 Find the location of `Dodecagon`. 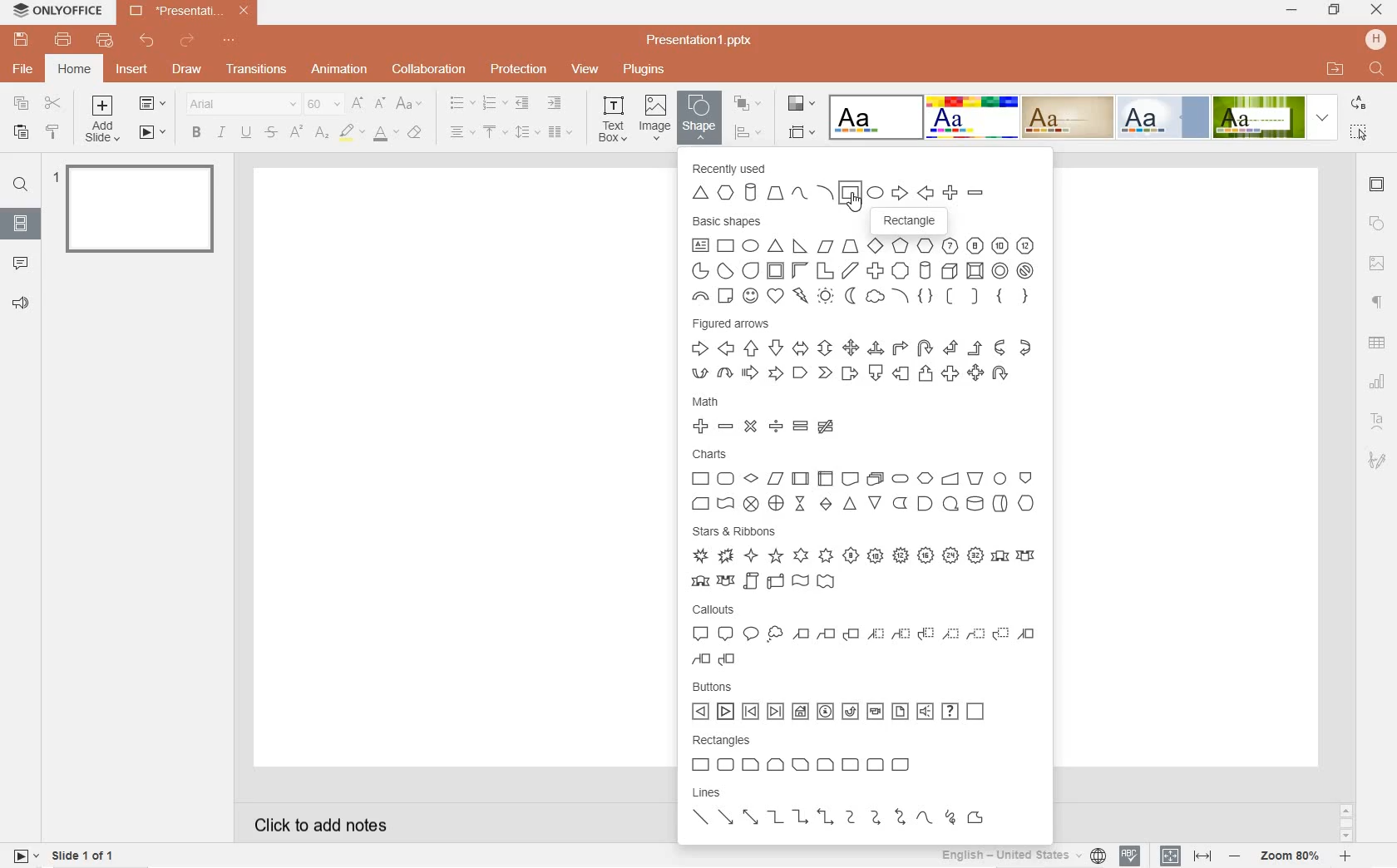

Dodecagon is located at coordinates (1024, 247).